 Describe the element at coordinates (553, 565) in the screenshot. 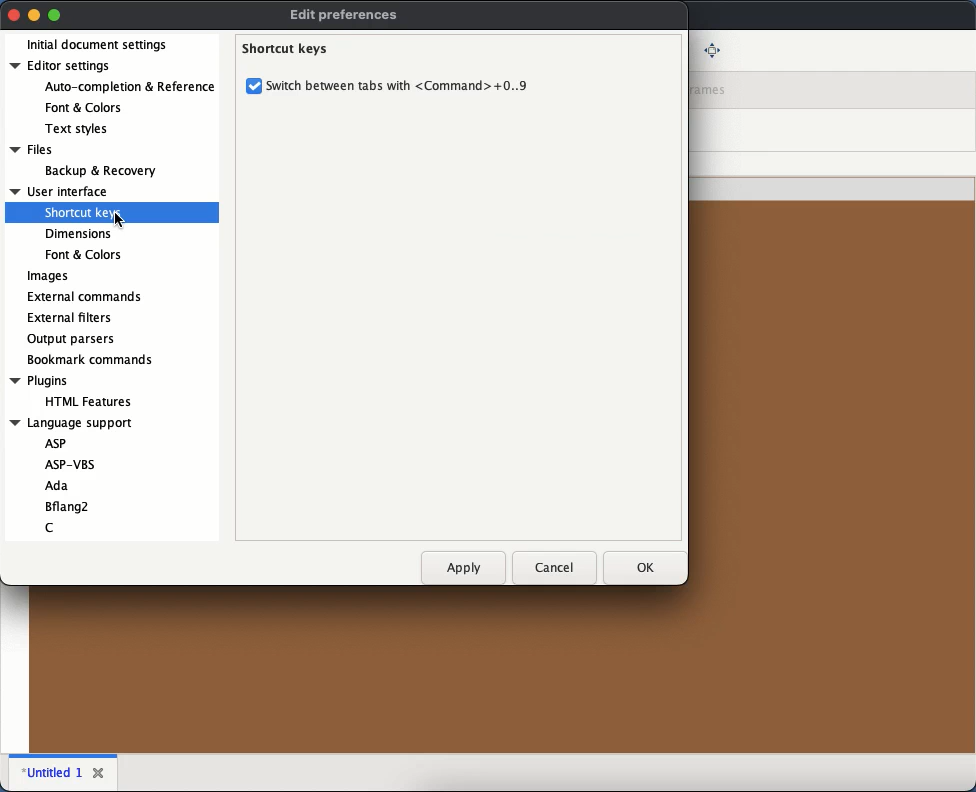

I see `cancel` at that location.